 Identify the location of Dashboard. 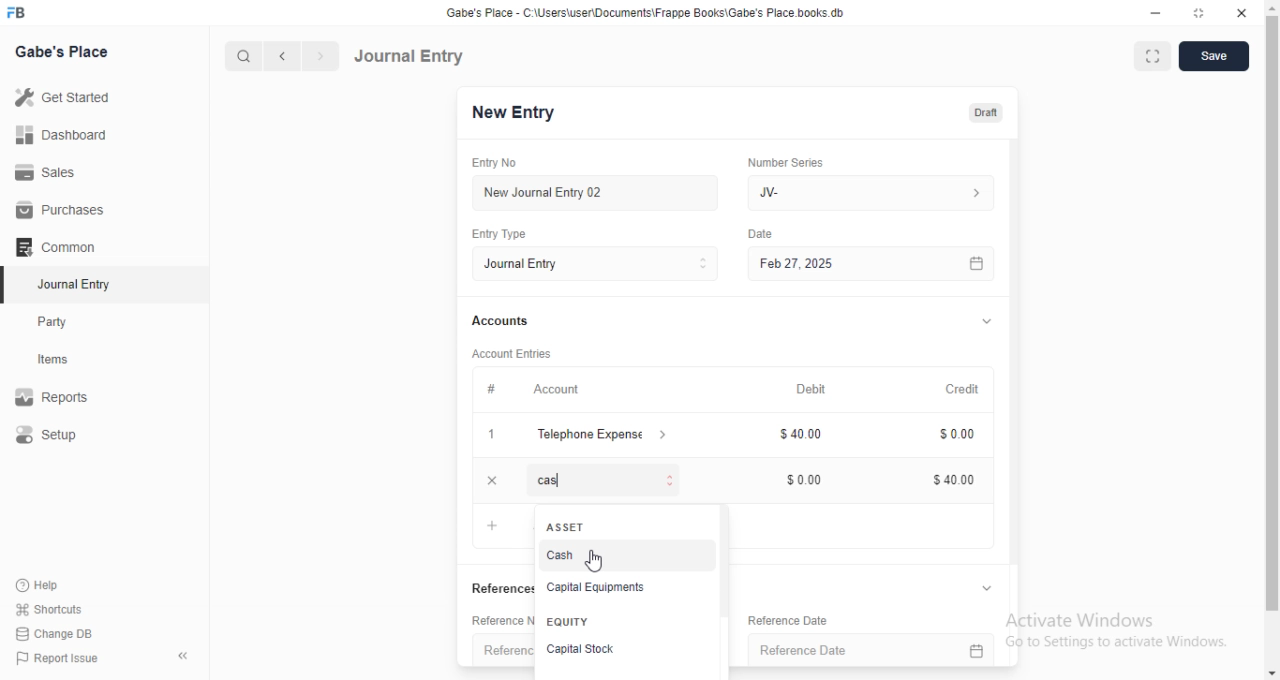
(62, 135).